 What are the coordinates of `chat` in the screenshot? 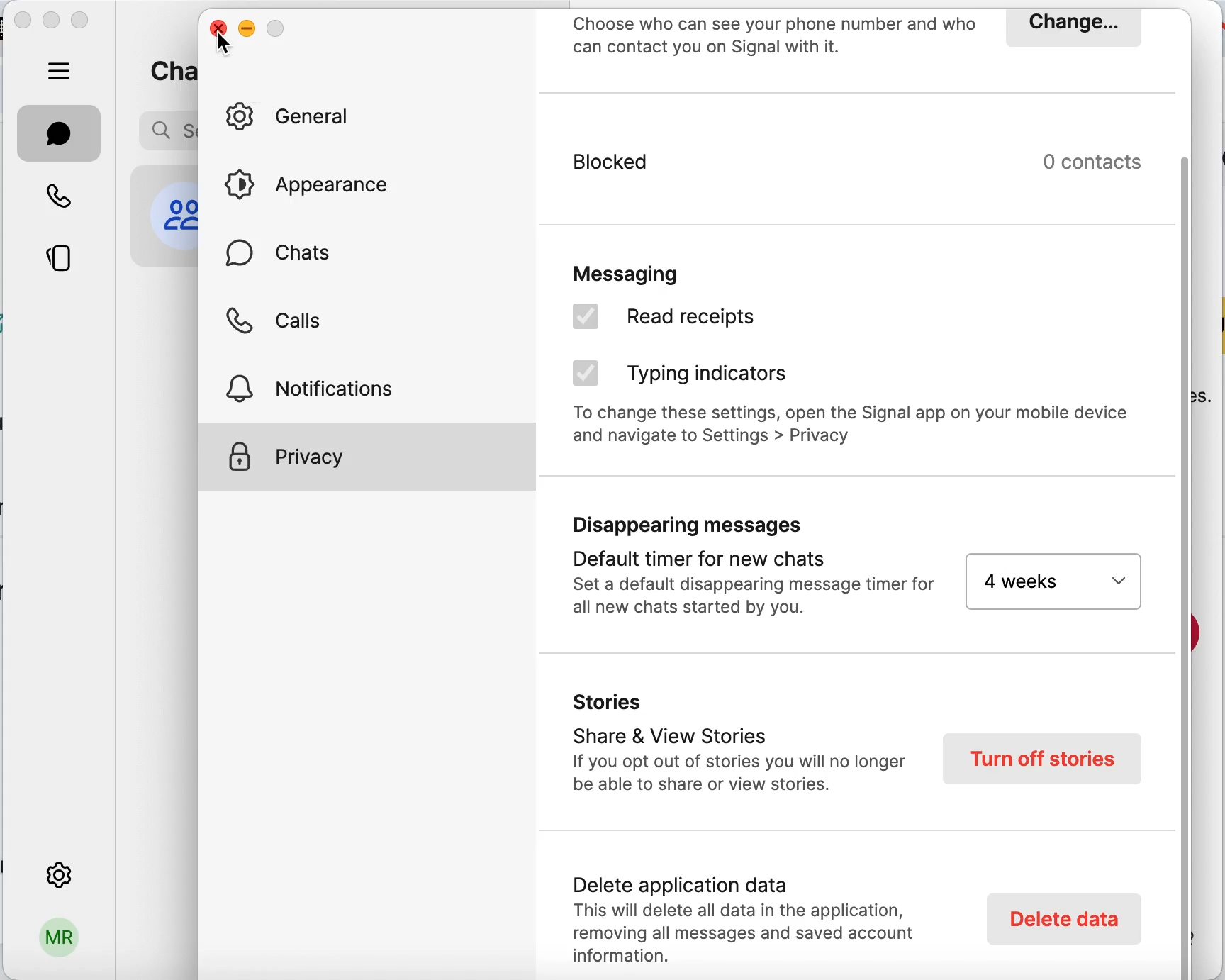 It's located at (60, 133).